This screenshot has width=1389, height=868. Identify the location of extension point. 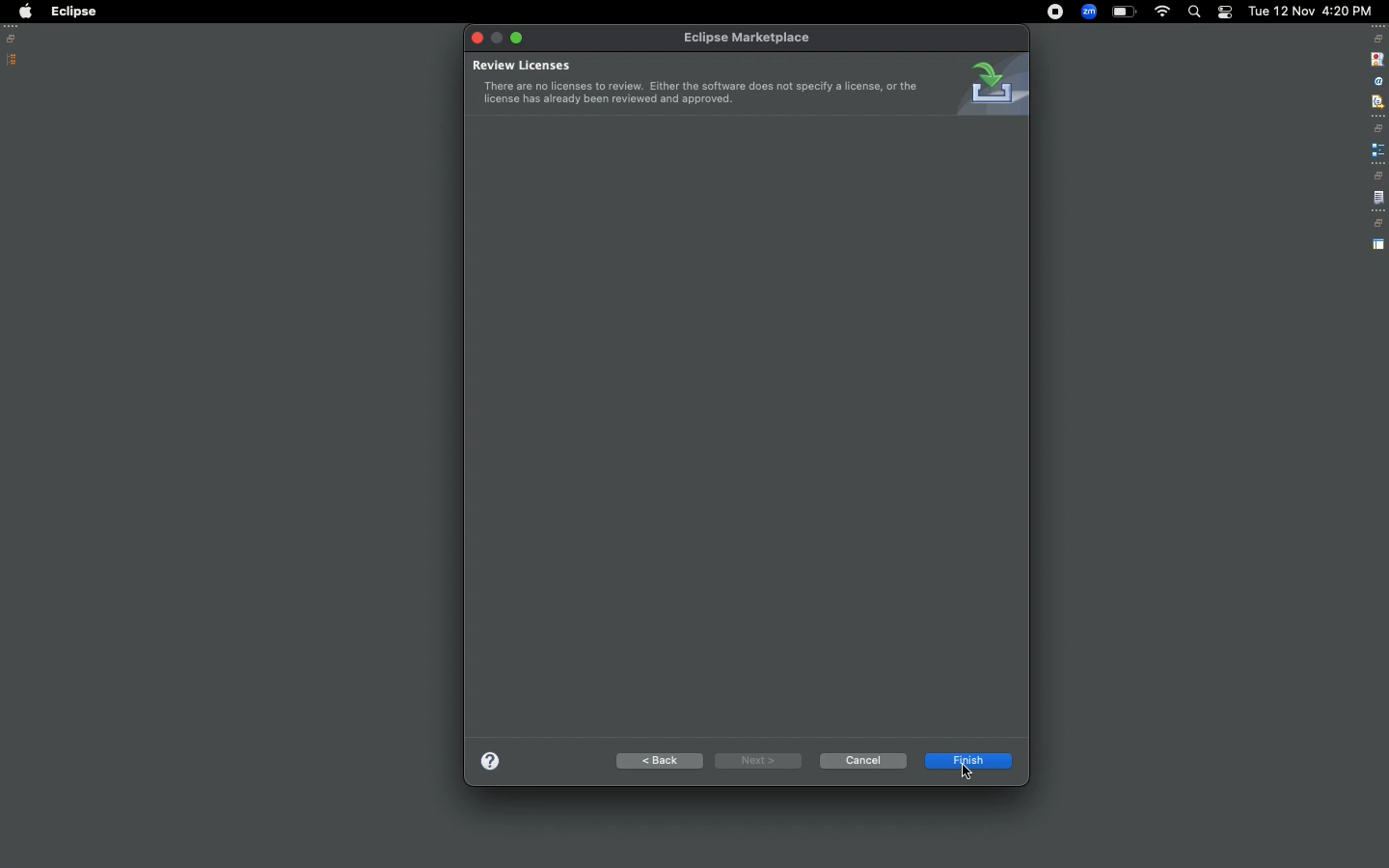
(1377, 149).